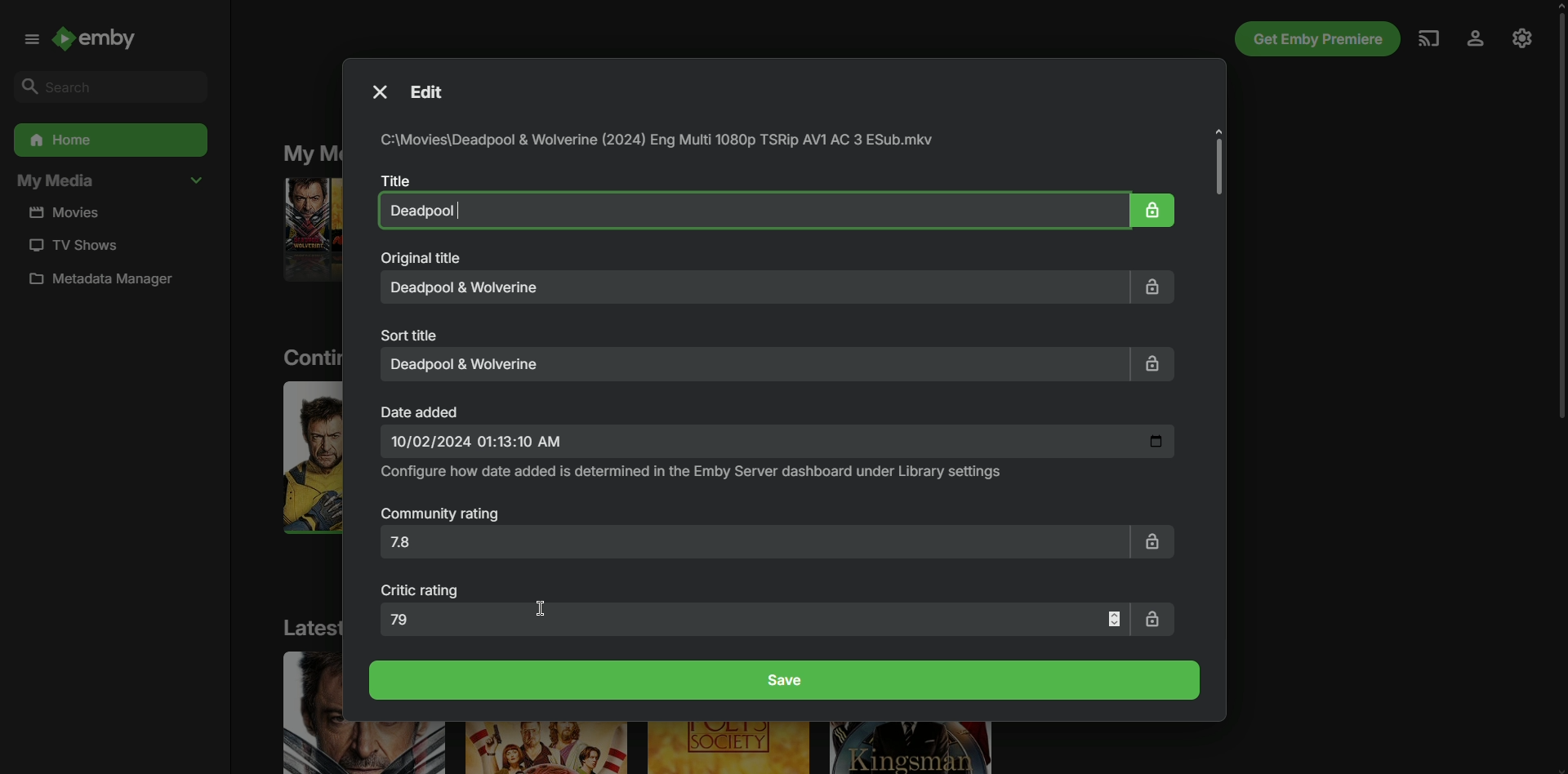  I want to click on Deadpool and Wolverine, so click(751, 363).